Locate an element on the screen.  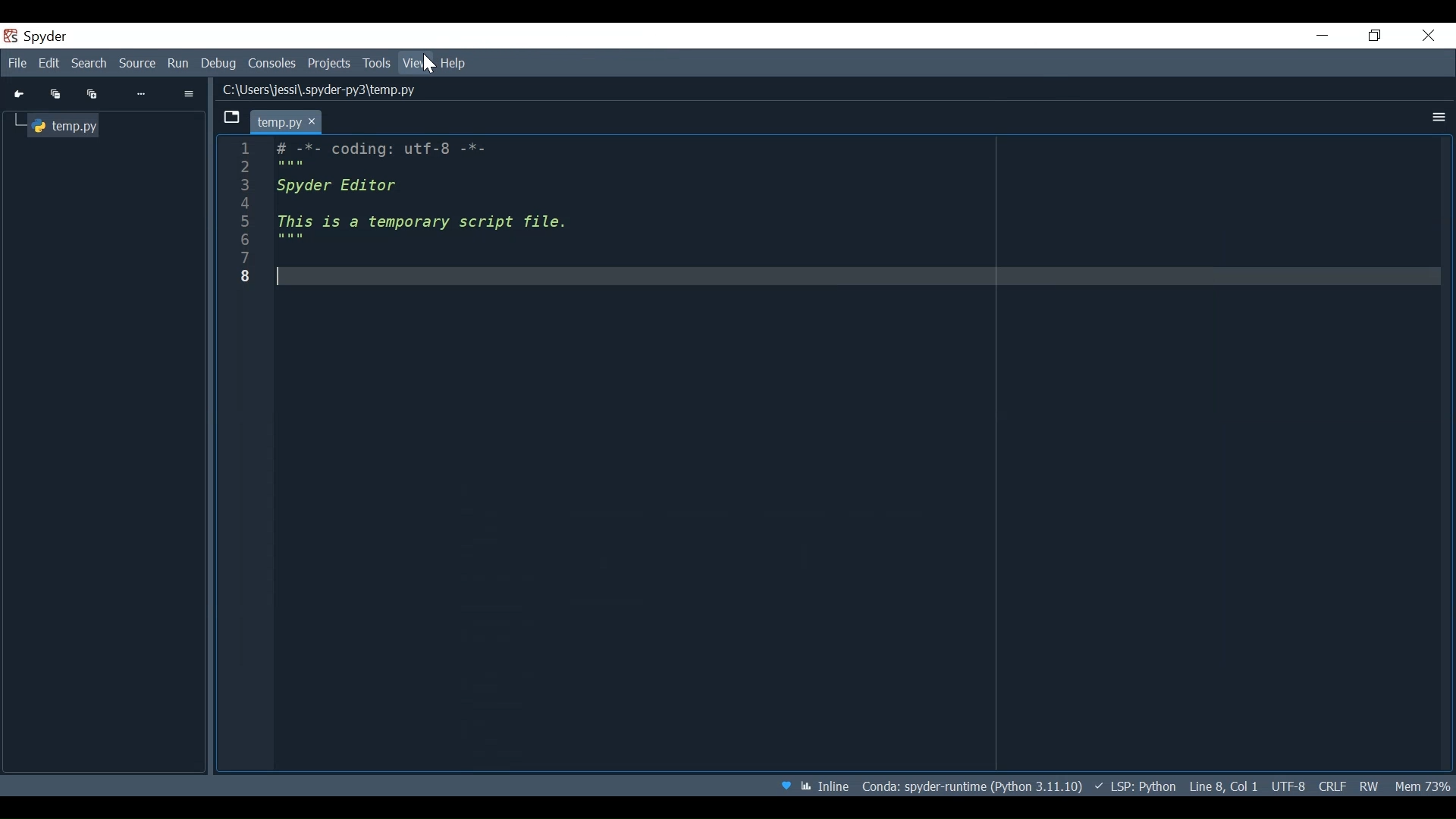
File is located at coordinates (16, 63).